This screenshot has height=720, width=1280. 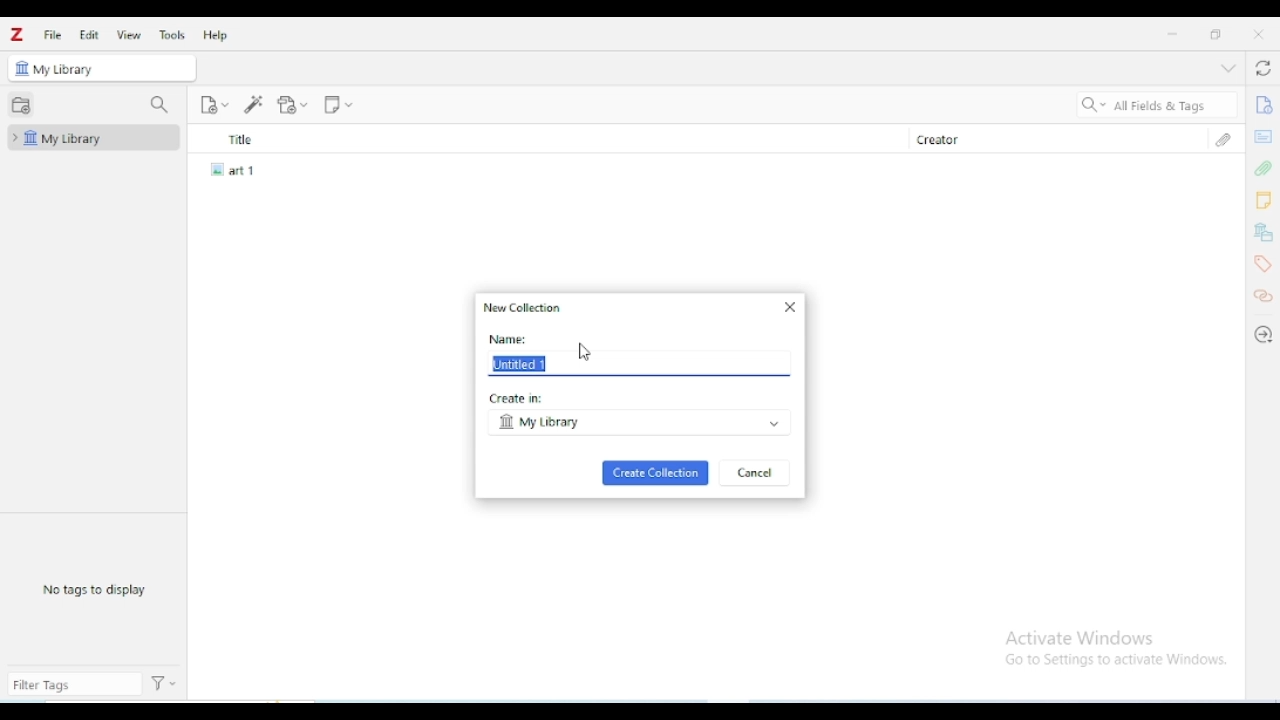 What do you see at coordinates (293, 104) in the screenshot?
I see `add attachment` at bounding box center [293, 104].